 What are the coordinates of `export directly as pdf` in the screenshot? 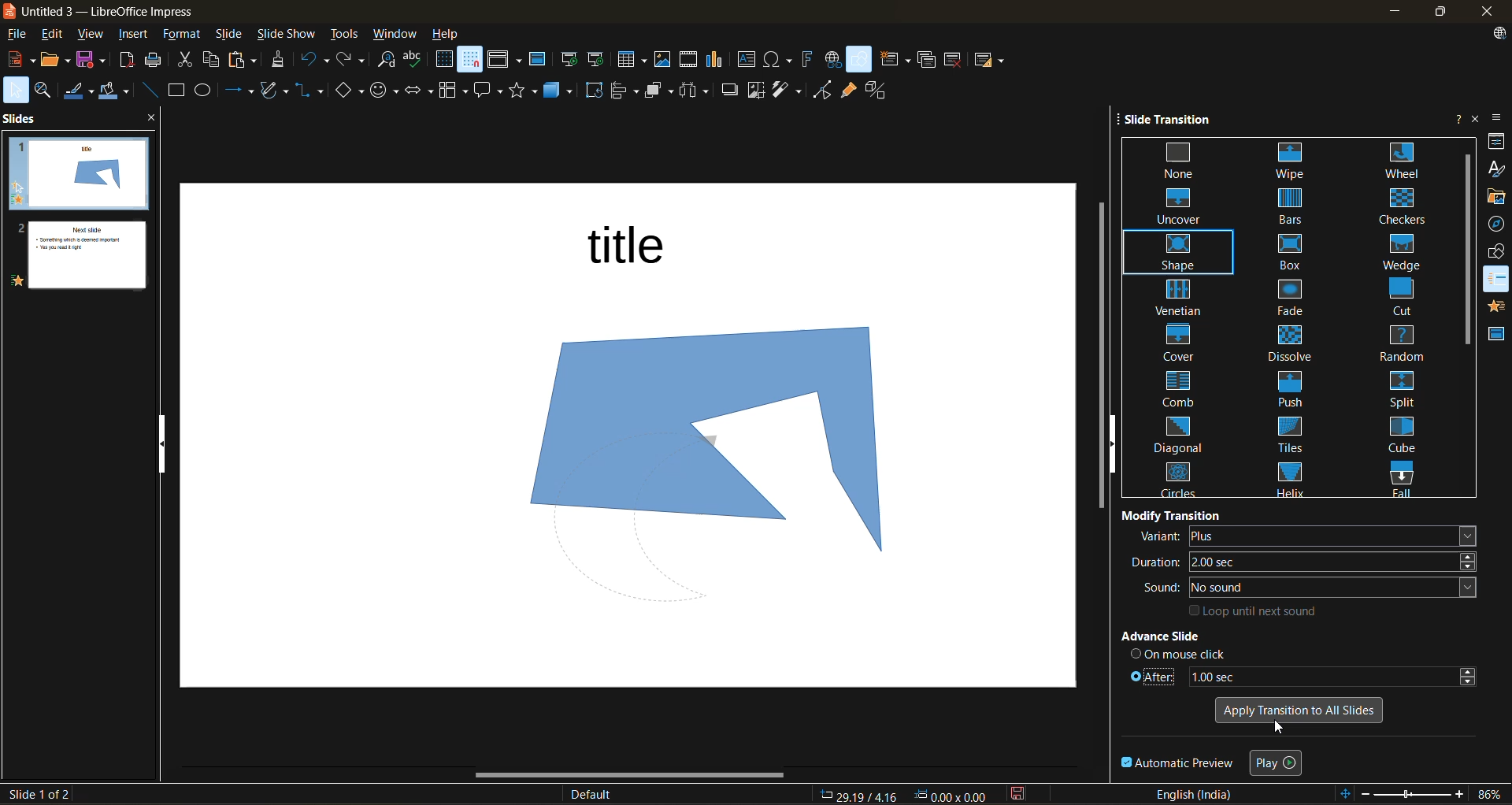 It's located at (128, 64).